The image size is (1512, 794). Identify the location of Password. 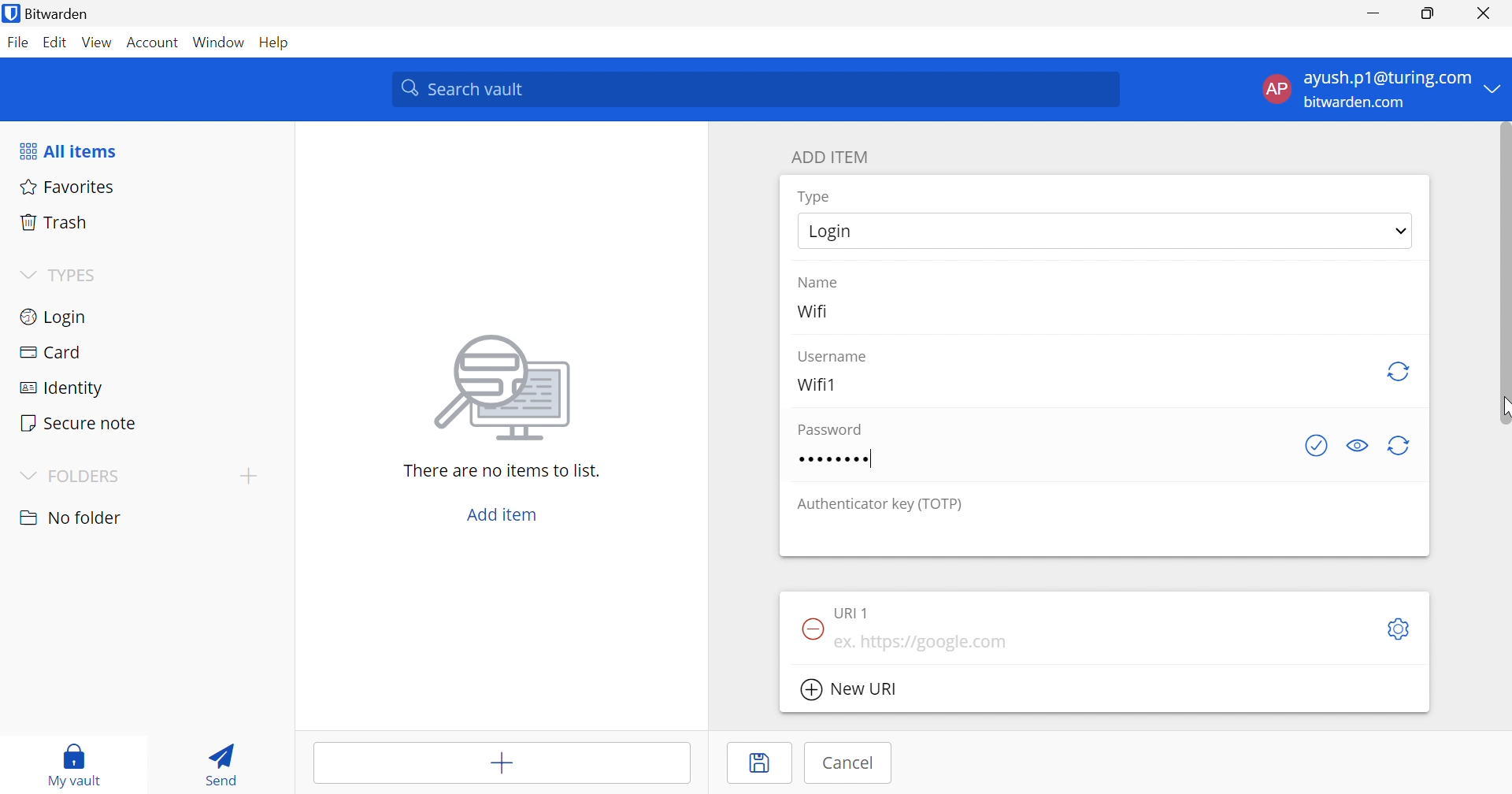
(835, 429).